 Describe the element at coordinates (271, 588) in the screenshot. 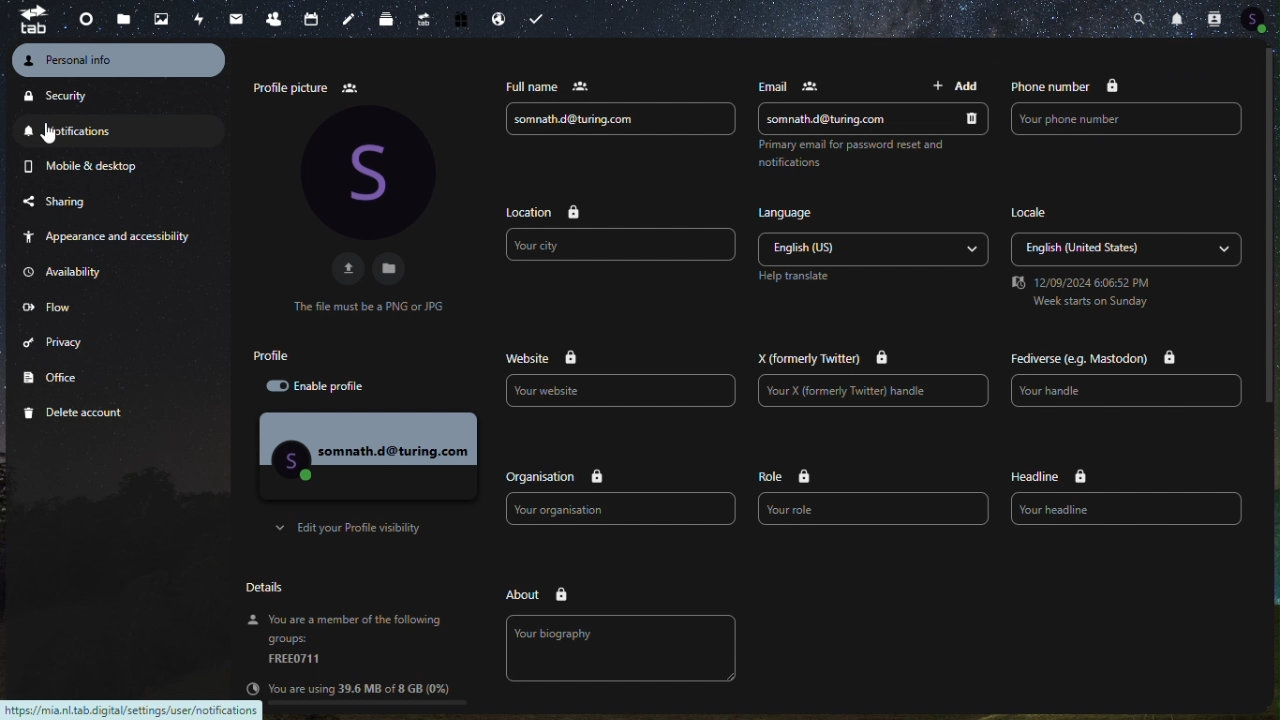

I see `details` at that location.